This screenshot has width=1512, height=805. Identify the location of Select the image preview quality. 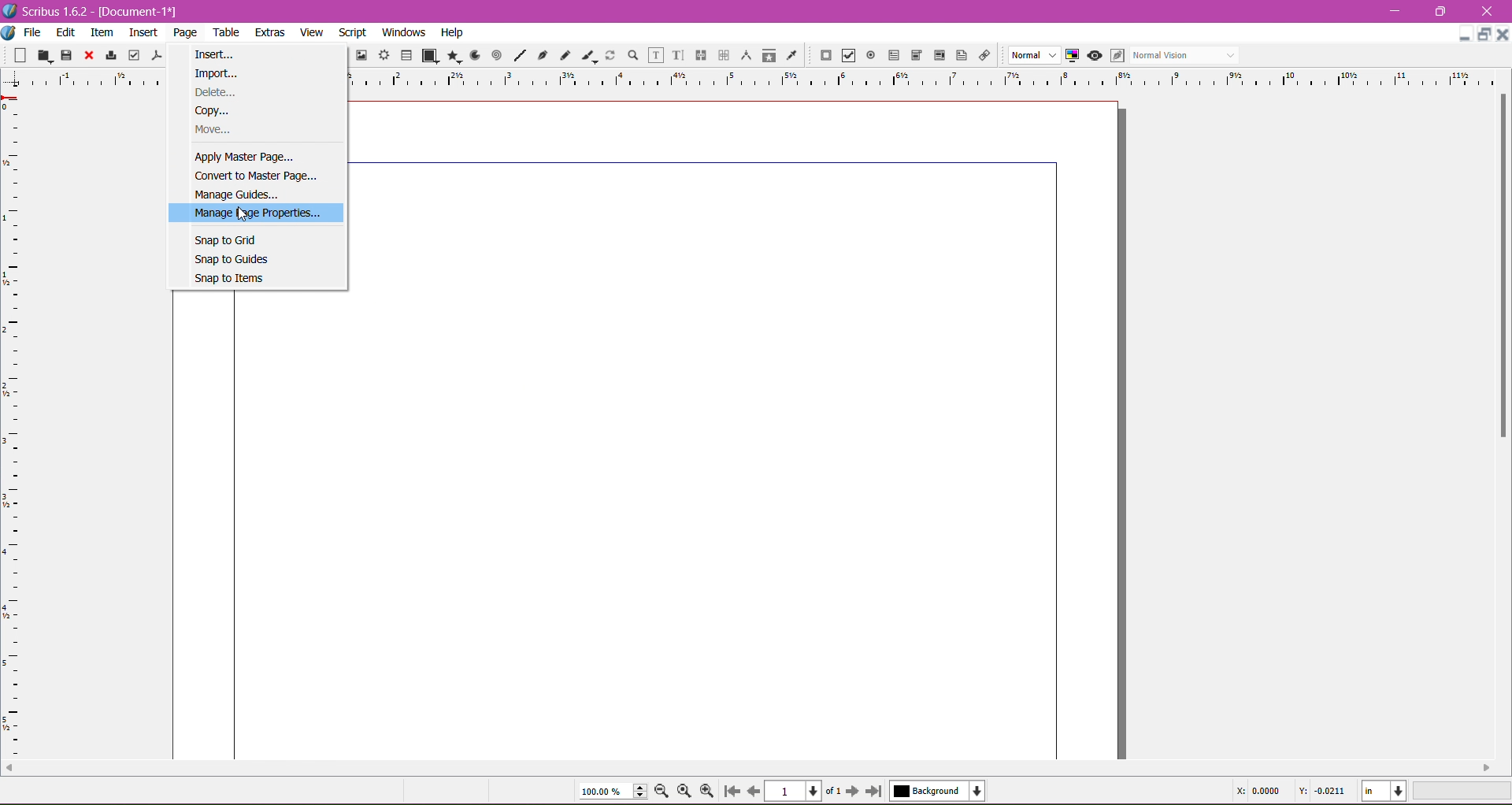
(1032, 55).